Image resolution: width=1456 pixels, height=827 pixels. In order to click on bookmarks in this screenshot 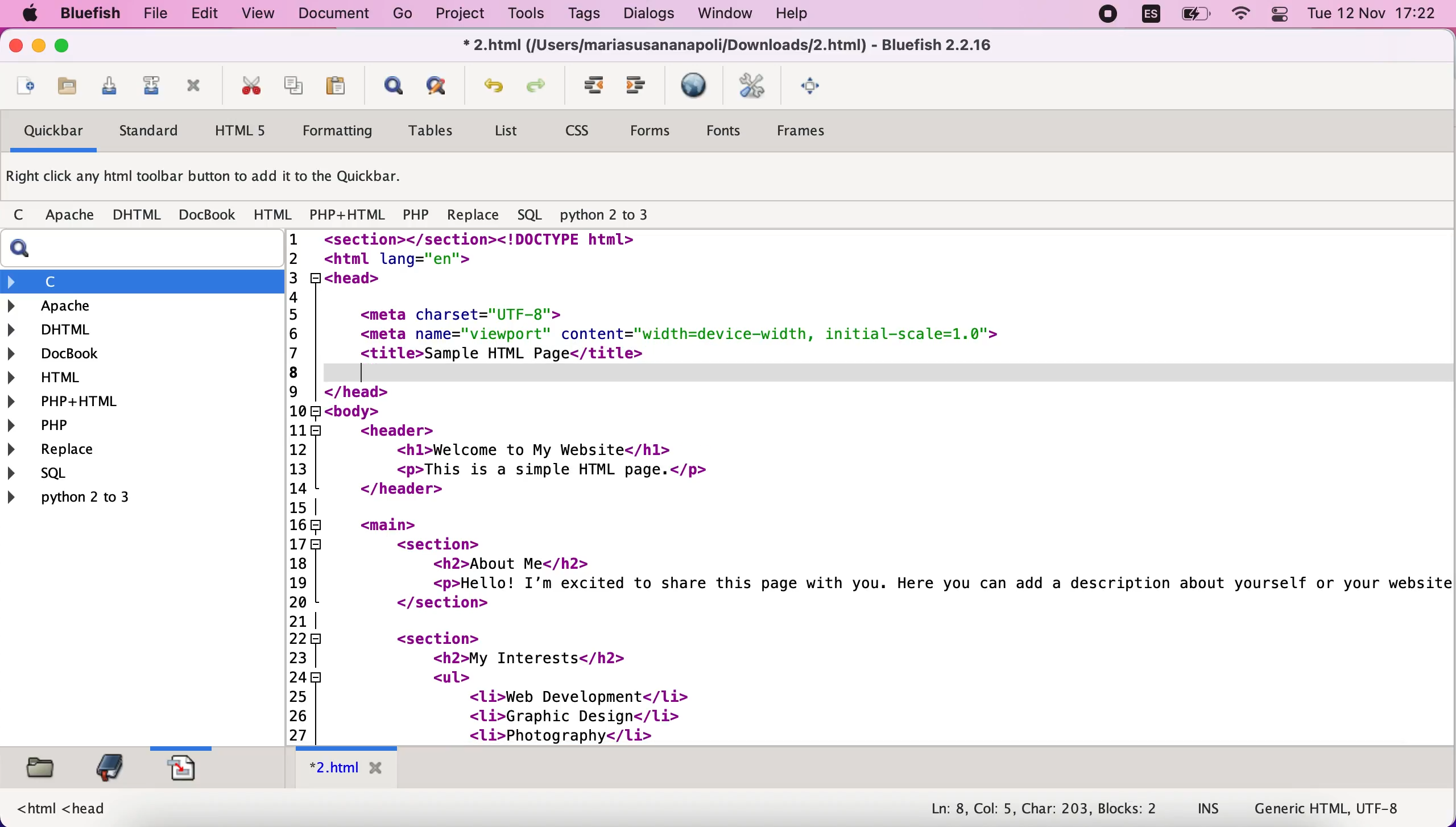, I will do `click(111, 769)`.